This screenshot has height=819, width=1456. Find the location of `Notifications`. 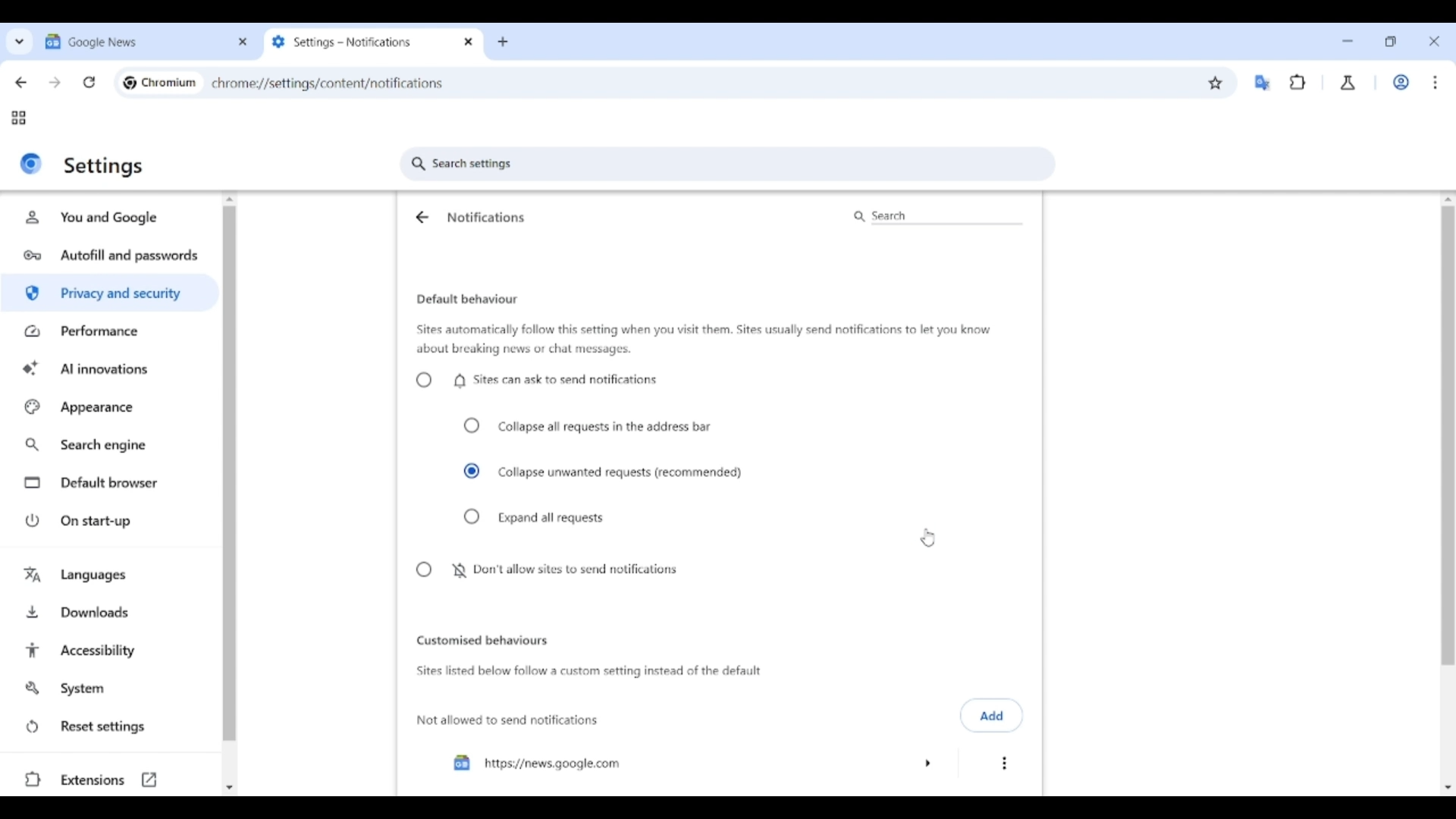

Notifications is located at coordinates (486, 217).